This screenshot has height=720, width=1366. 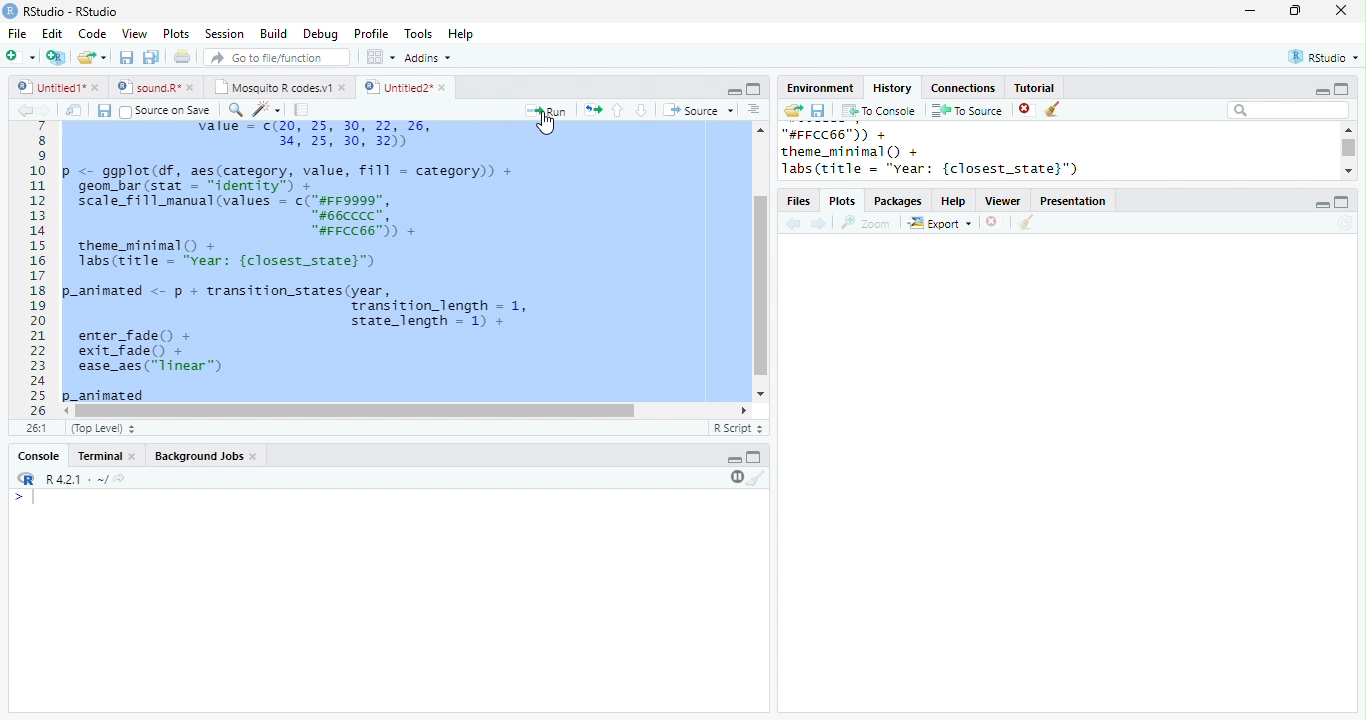 I want to click on (Top Level), so click(x=103, y=428).